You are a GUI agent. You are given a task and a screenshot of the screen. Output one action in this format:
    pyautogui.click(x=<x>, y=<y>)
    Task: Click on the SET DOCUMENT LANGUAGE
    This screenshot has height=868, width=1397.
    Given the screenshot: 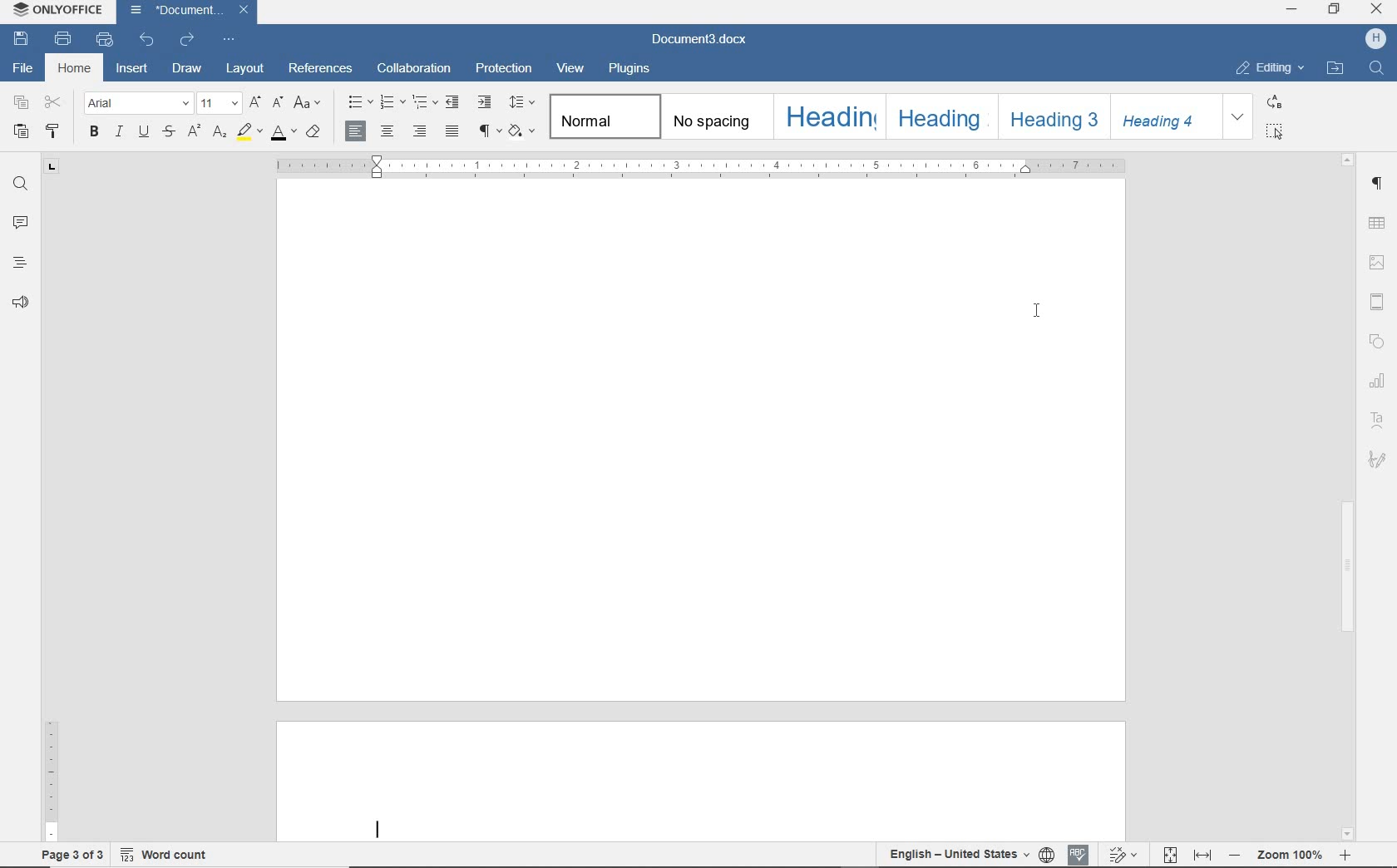 What is the action you would take?
    pyautogui.click(x=1048, y=855)
    